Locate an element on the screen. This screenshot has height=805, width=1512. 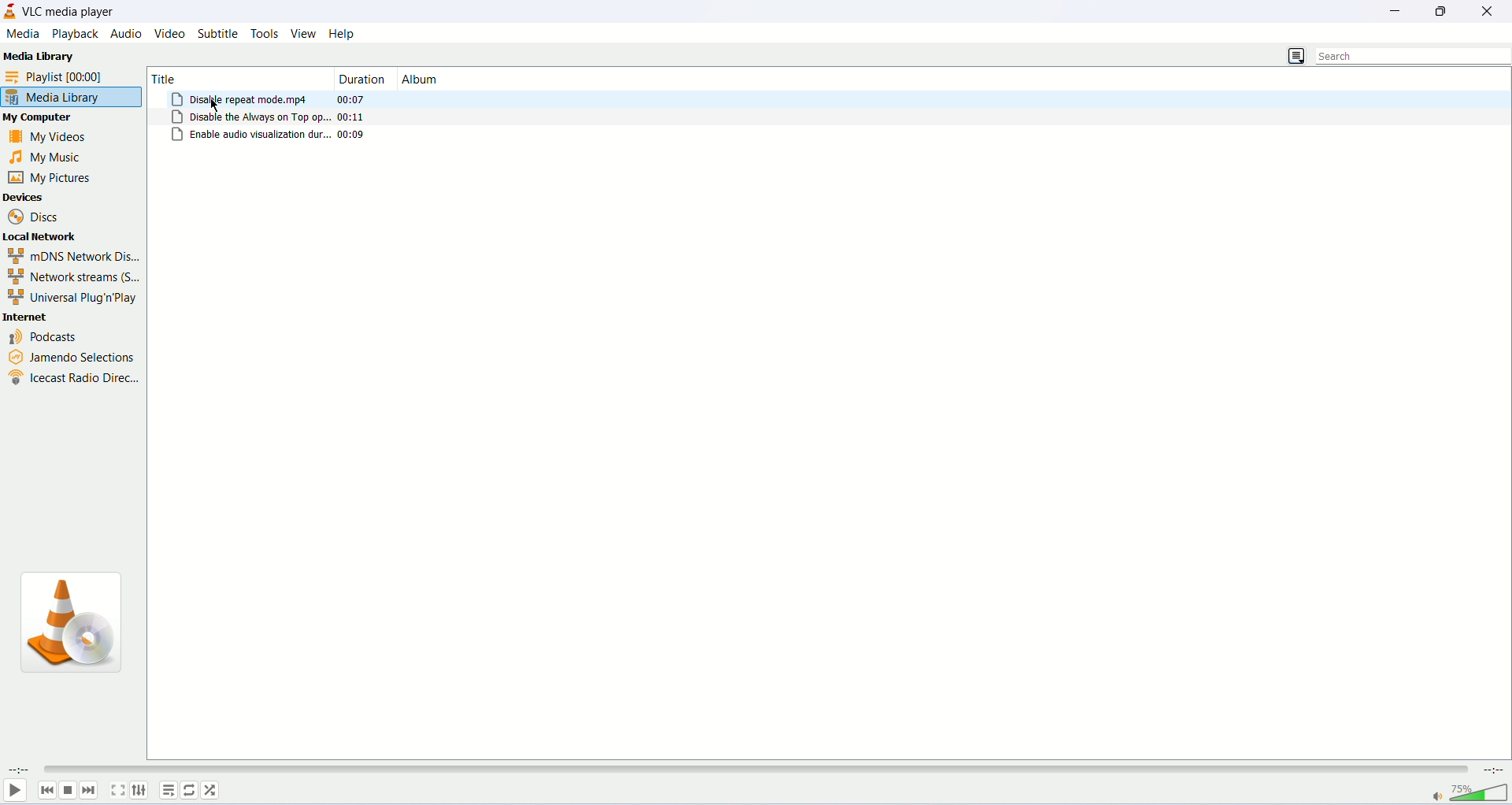
VLC icon is located at coordinates (80, 627).